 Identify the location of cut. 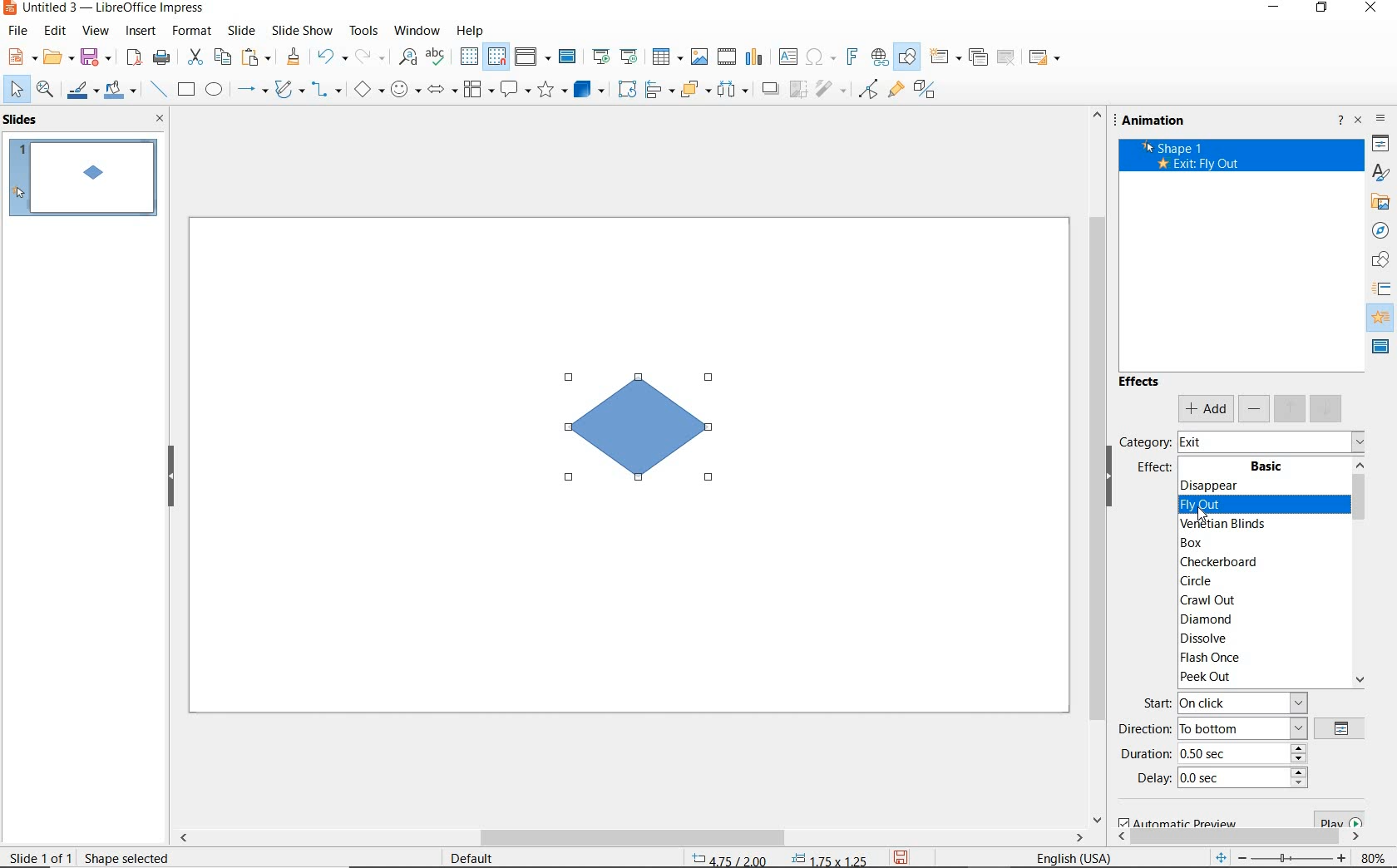
(195, 57).